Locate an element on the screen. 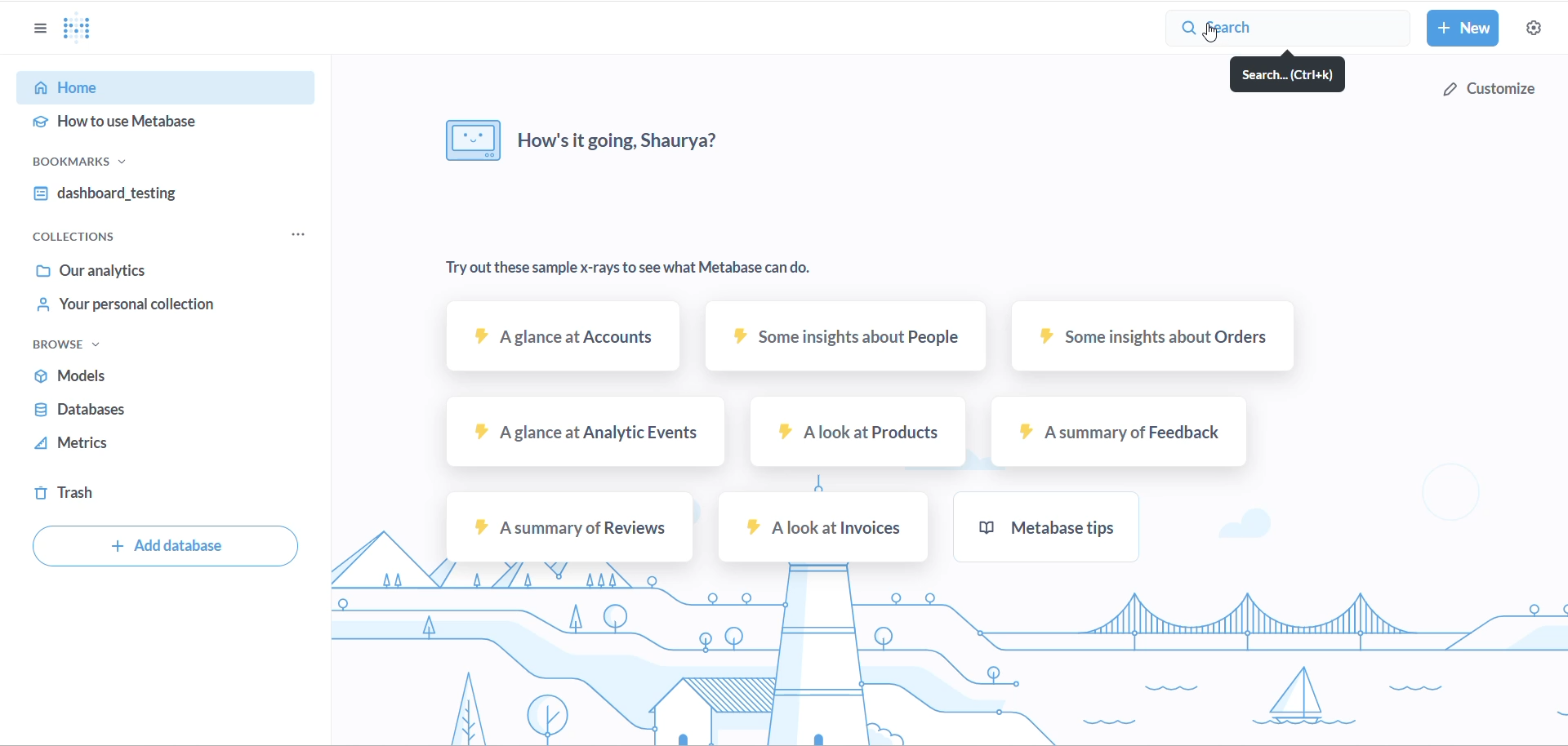 Image resolution: width=1568 pixels, height=746 pixels. add database is located at coordinates (160, 547).